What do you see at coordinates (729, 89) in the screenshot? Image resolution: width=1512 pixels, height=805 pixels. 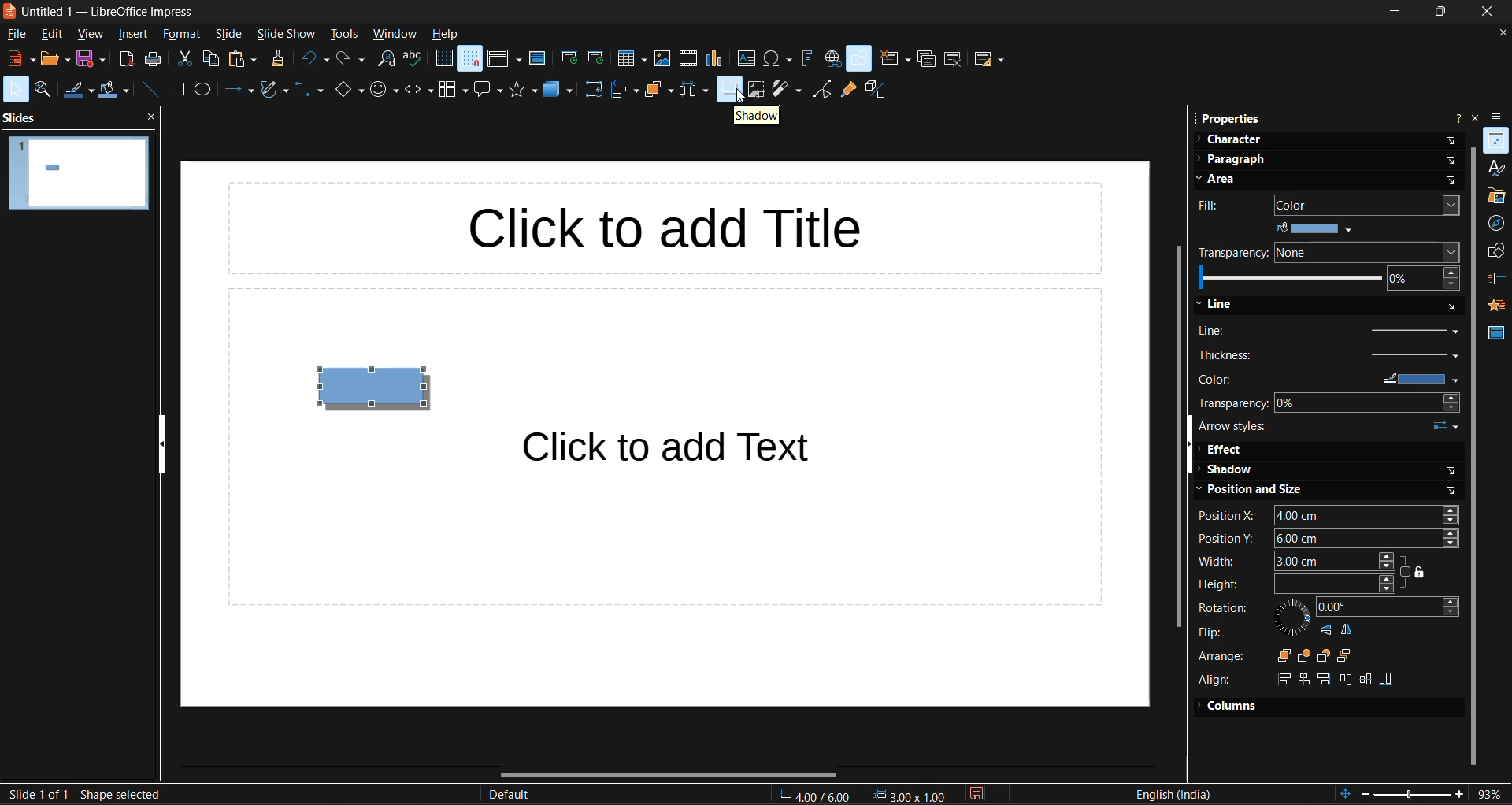 I see `shadow` at bounding box center [729, 89].